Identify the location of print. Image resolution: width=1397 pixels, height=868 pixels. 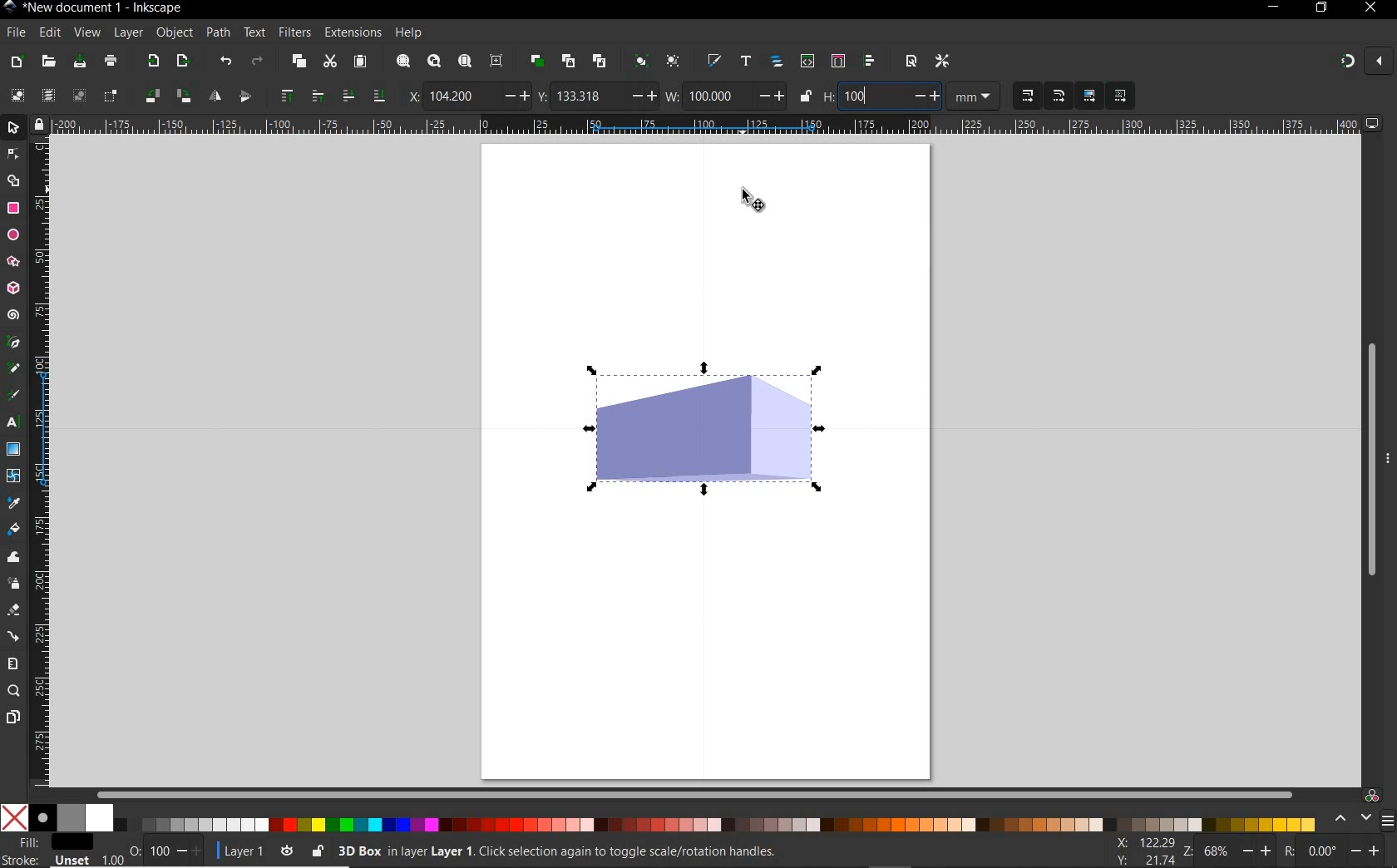
(111, 62).